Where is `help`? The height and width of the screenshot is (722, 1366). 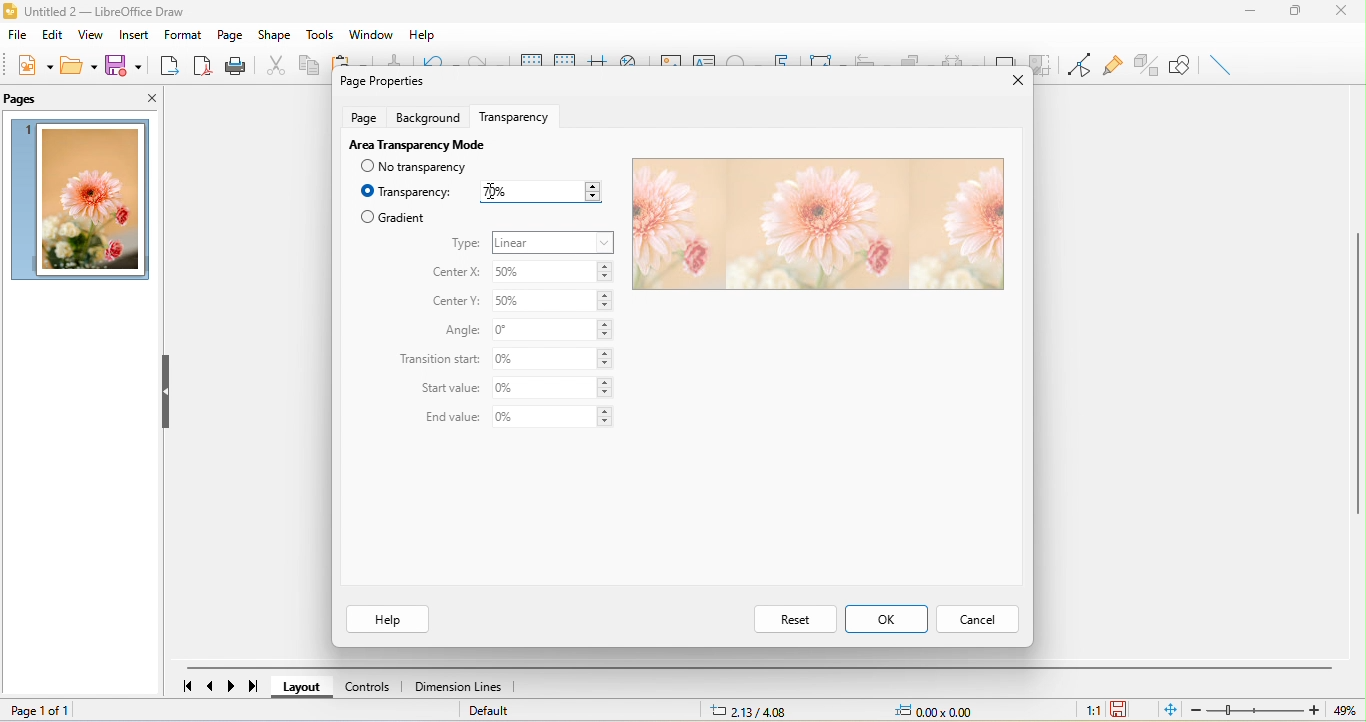 help is located at coordinates (425, 31).